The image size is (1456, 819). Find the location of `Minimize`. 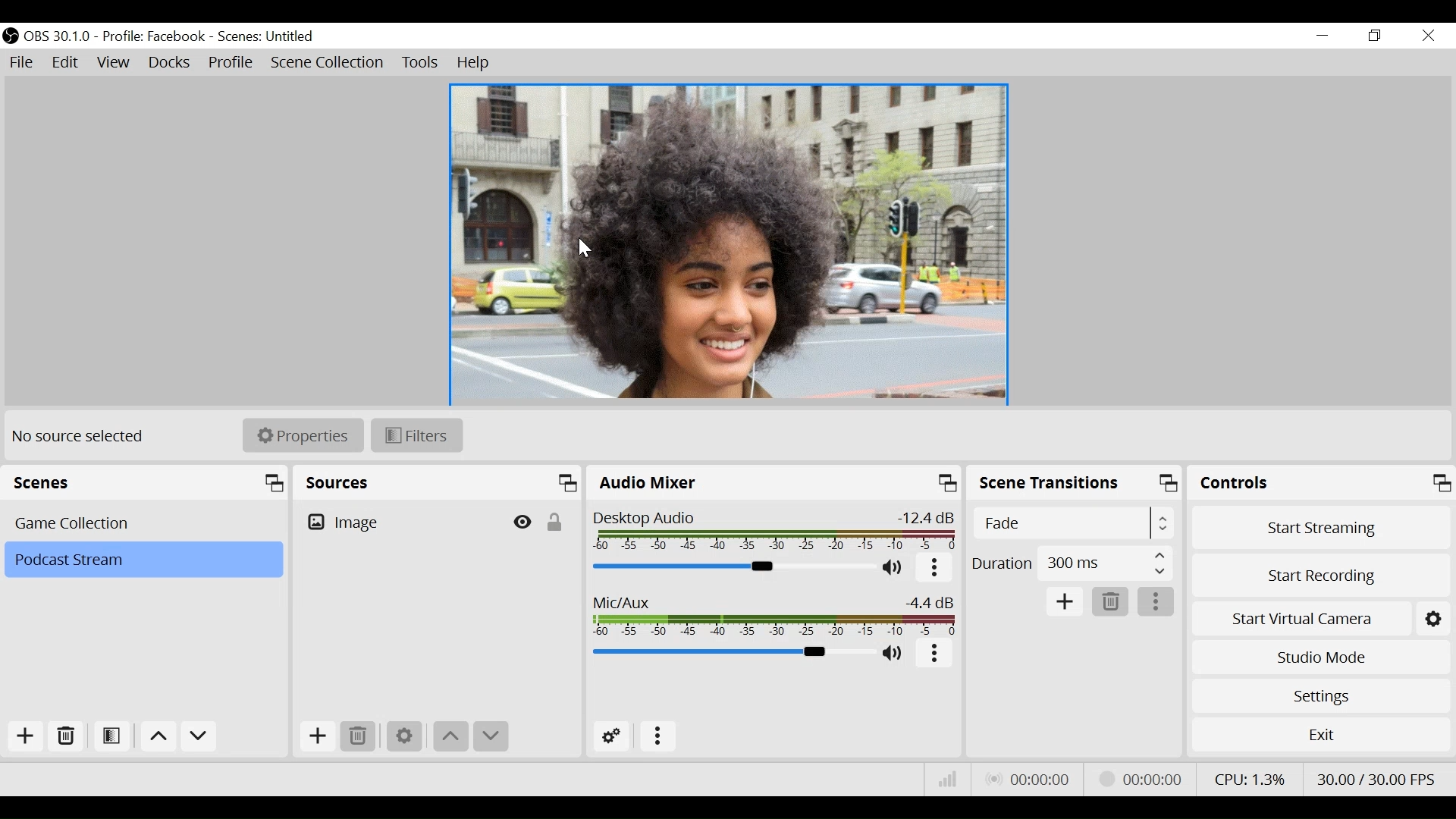

Minimize is located at coordinates (1325, 36).